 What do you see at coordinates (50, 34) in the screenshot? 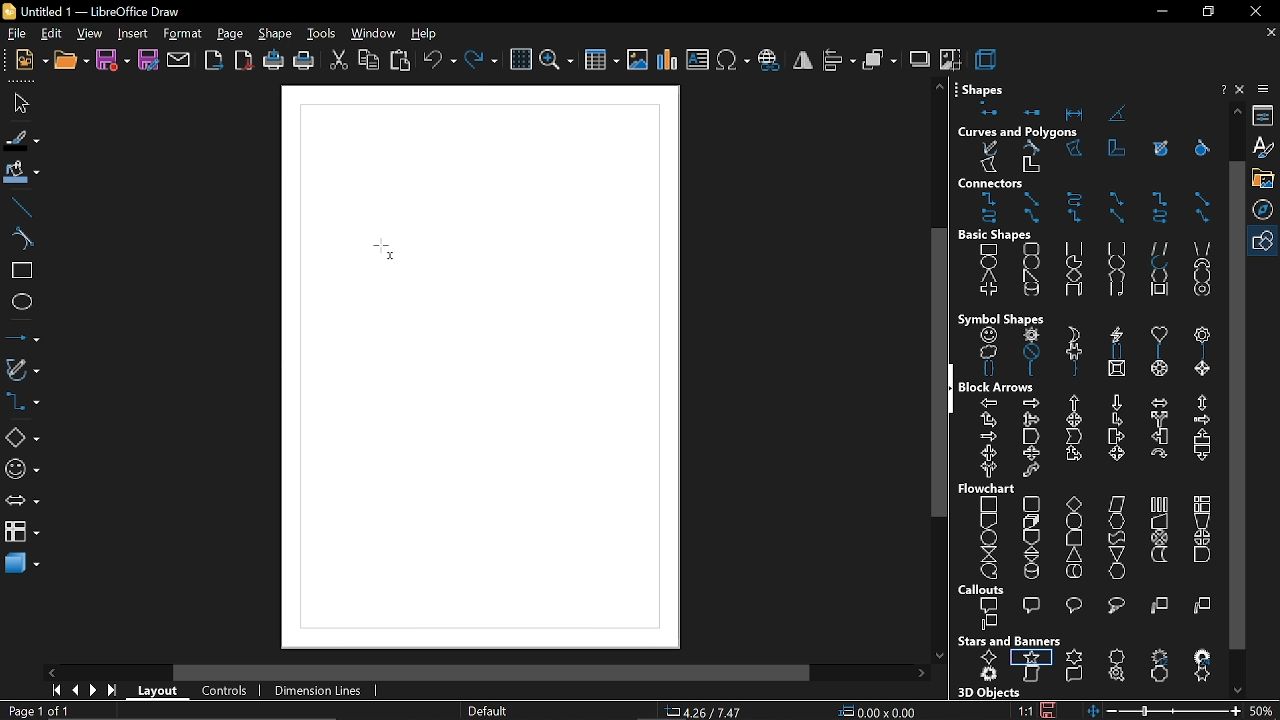
I see `edit` at bounding box center [50, 34].